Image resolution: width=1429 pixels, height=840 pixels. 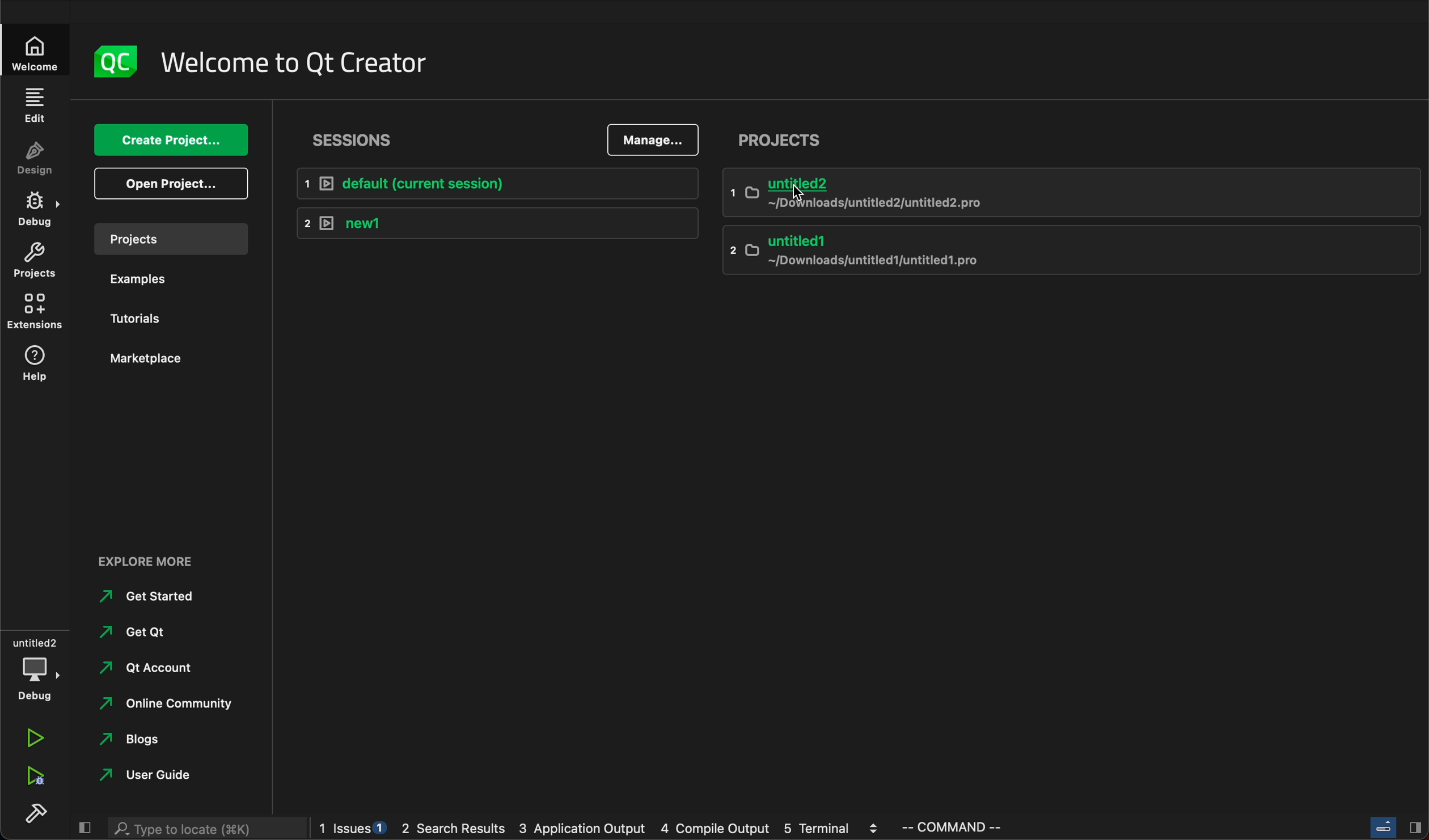 What do you see at coordinates (37, 668) in the screenshot?
I see `debug` at bounding box center [37, 668].